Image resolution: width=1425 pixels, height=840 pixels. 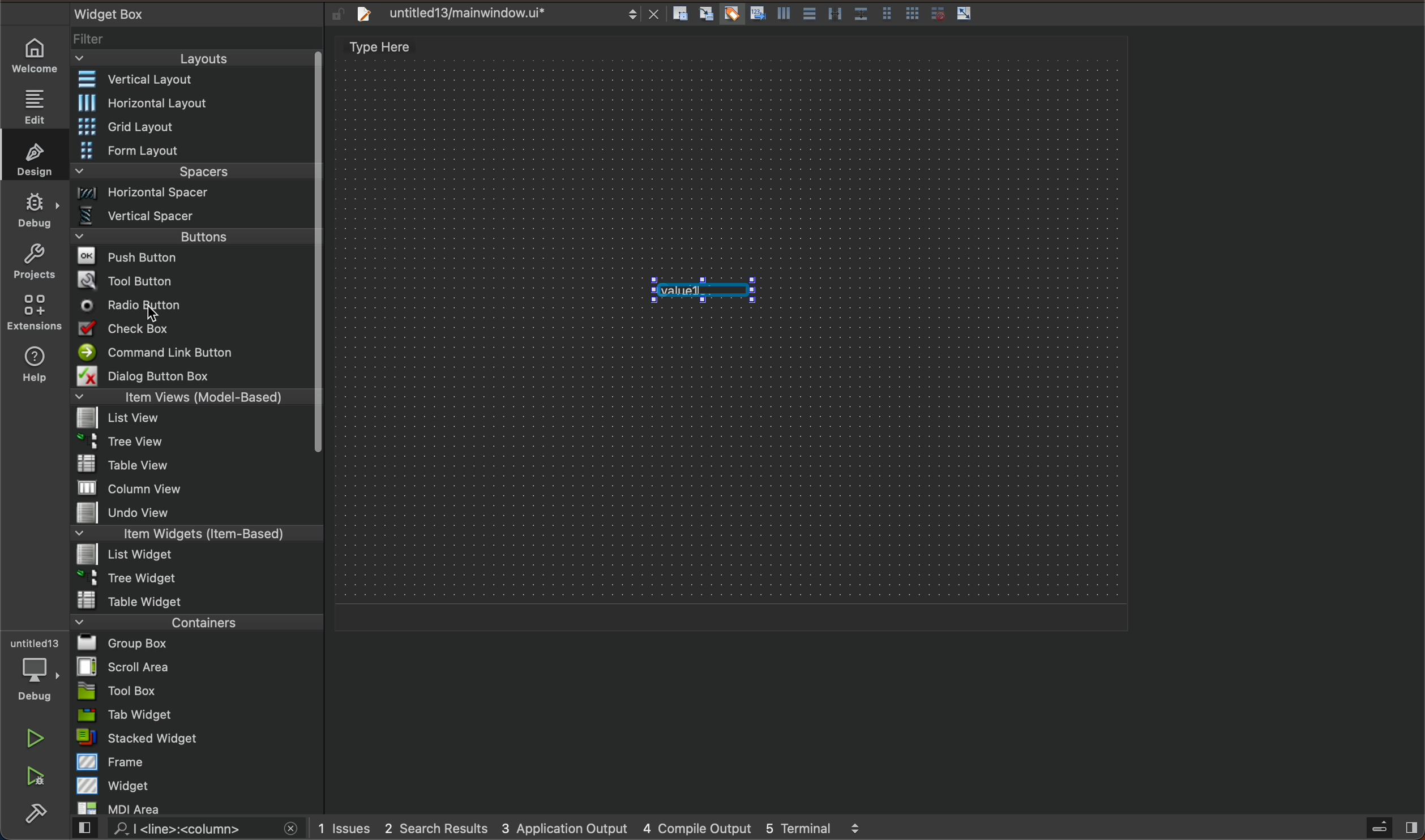 I want to click on file tab, so click(x=504, y=14).